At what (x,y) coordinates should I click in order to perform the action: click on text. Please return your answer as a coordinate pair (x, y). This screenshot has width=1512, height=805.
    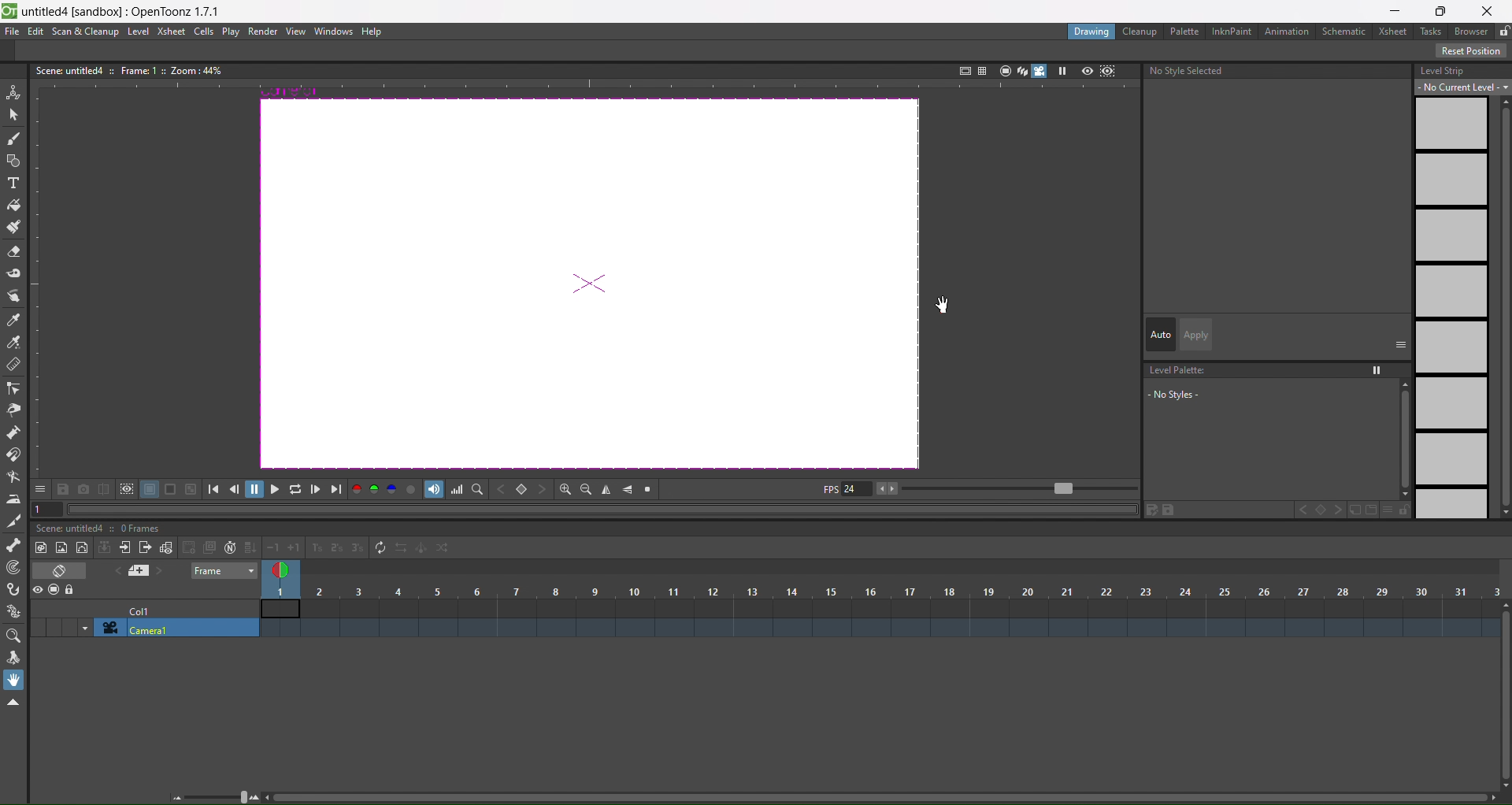
    Looking at the image, I should click on (1189, 71).